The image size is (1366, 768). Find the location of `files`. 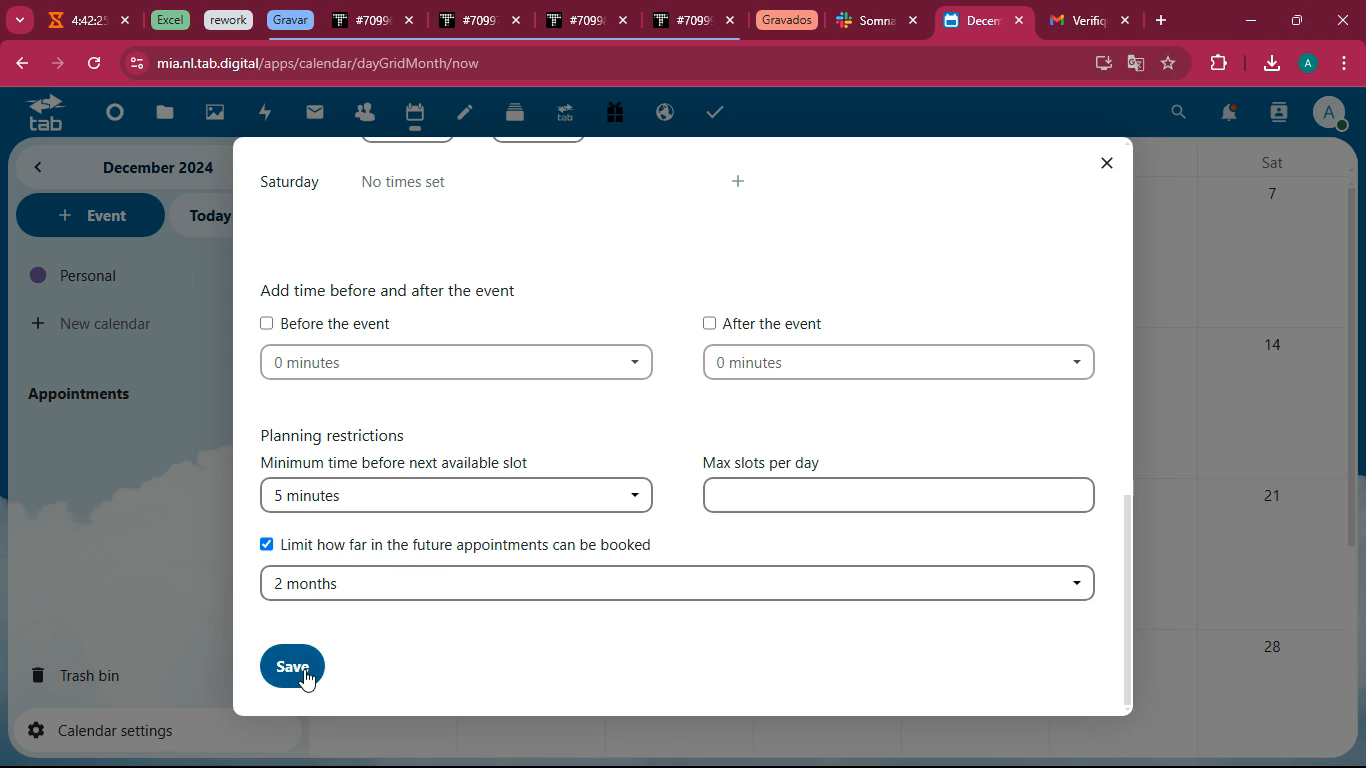

files is located at coordinates (517, 112).